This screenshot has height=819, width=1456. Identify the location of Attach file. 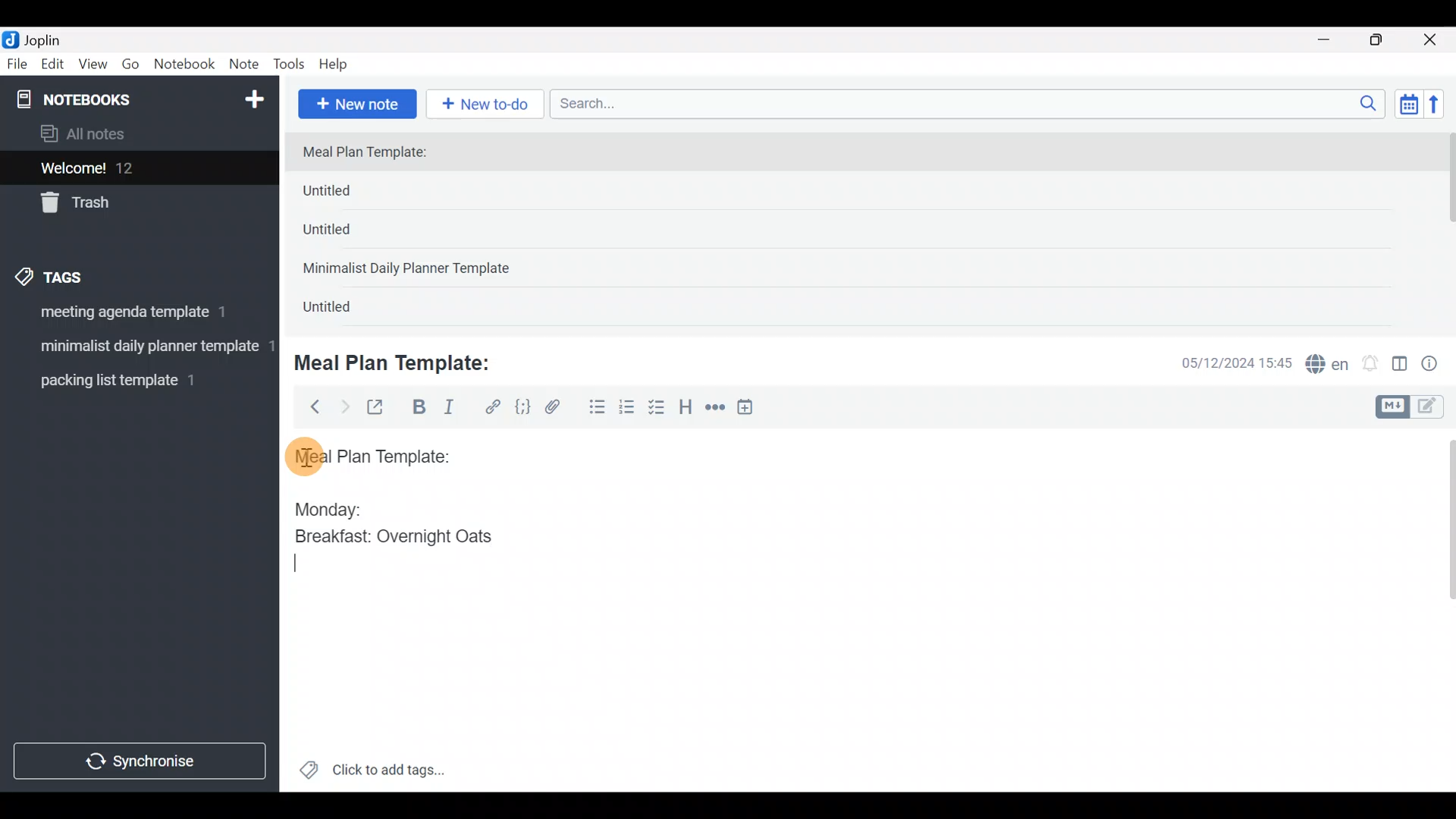
(557, 409).